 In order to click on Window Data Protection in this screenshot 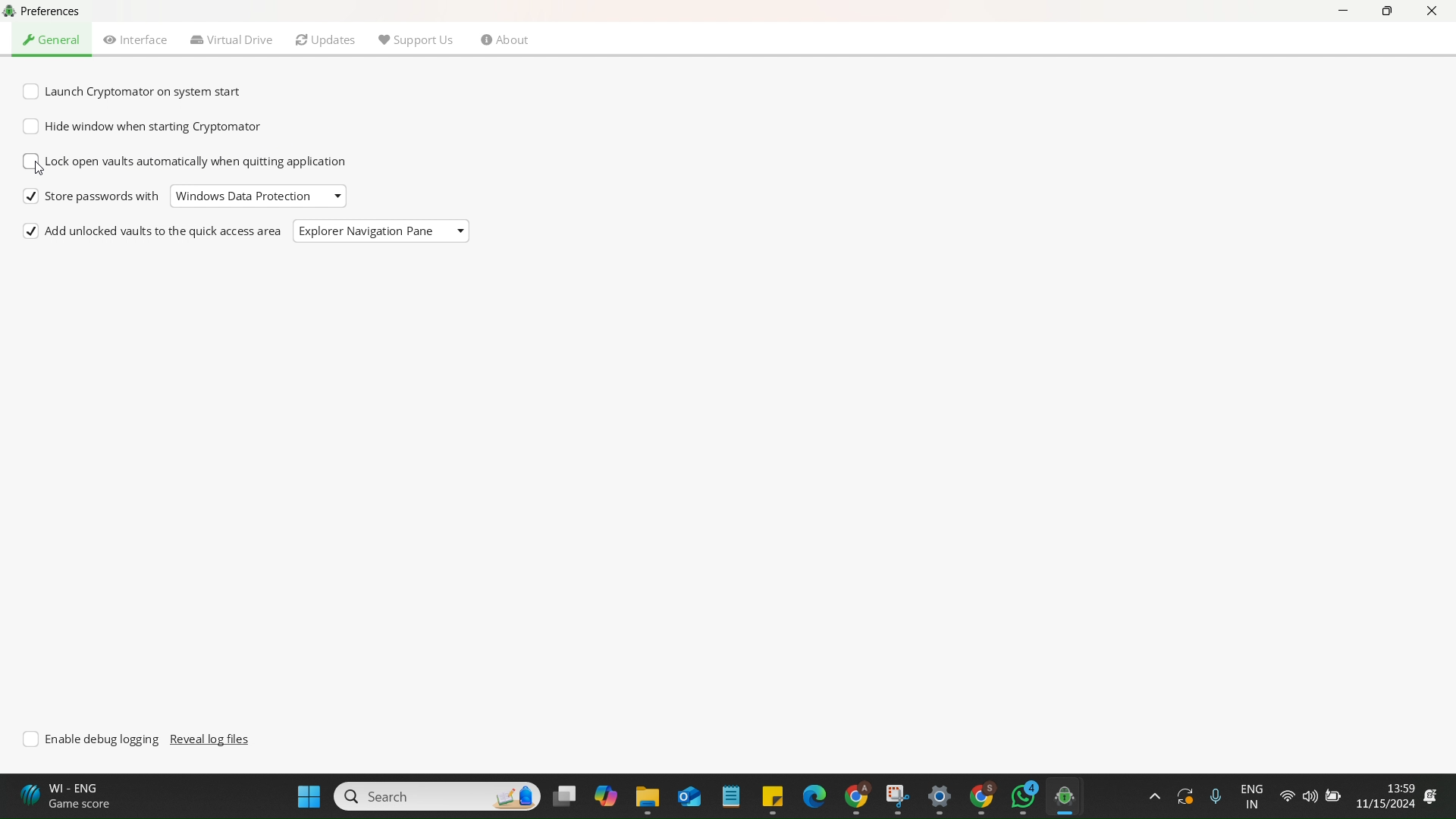, I will do `click(243, 196)`.